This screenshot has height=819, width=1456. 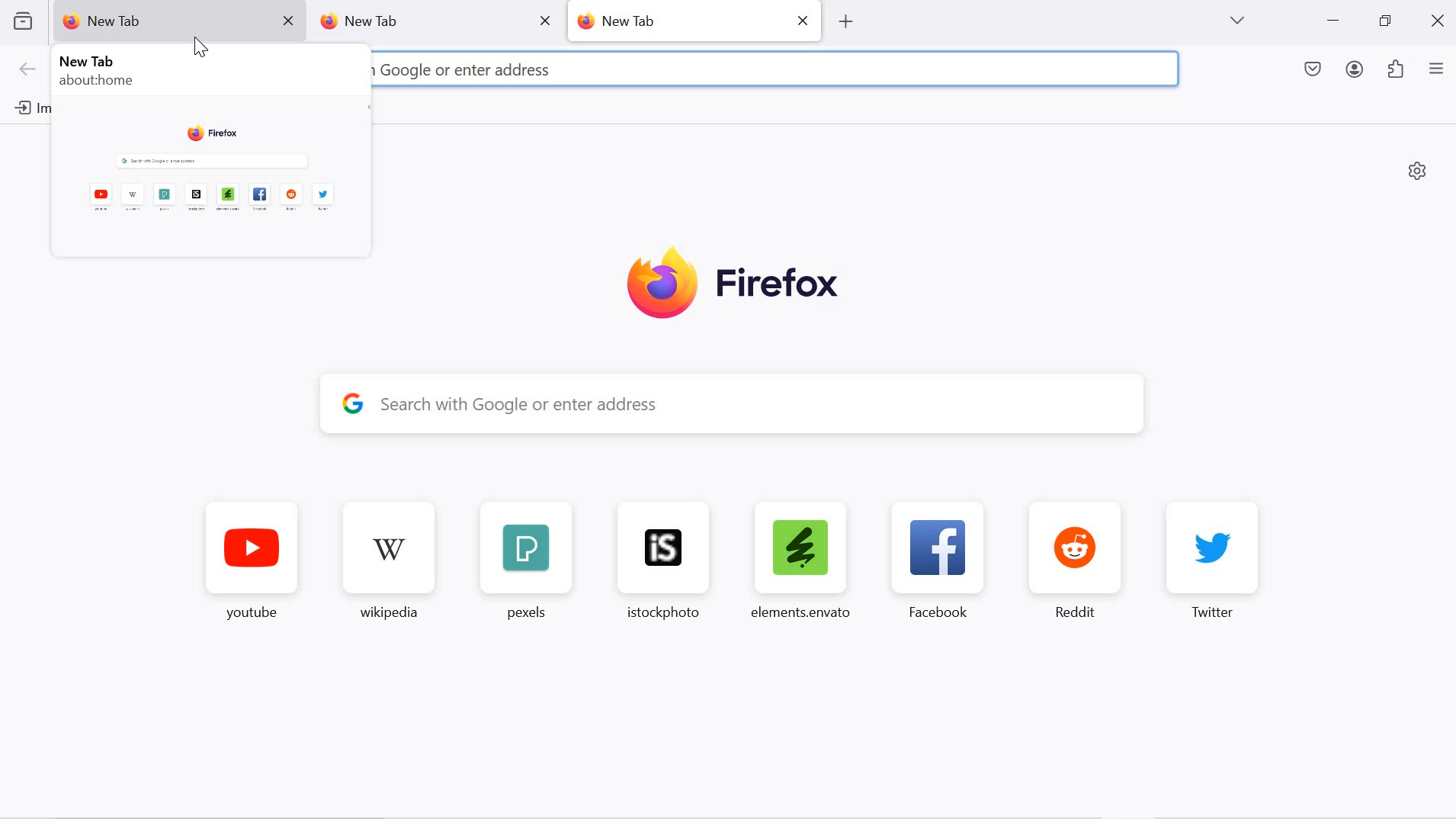 What do you see at coordinates (22, 21) in the screenshot?
I see `view recent browsing across devices and windows` at bounding box center [22, 21].